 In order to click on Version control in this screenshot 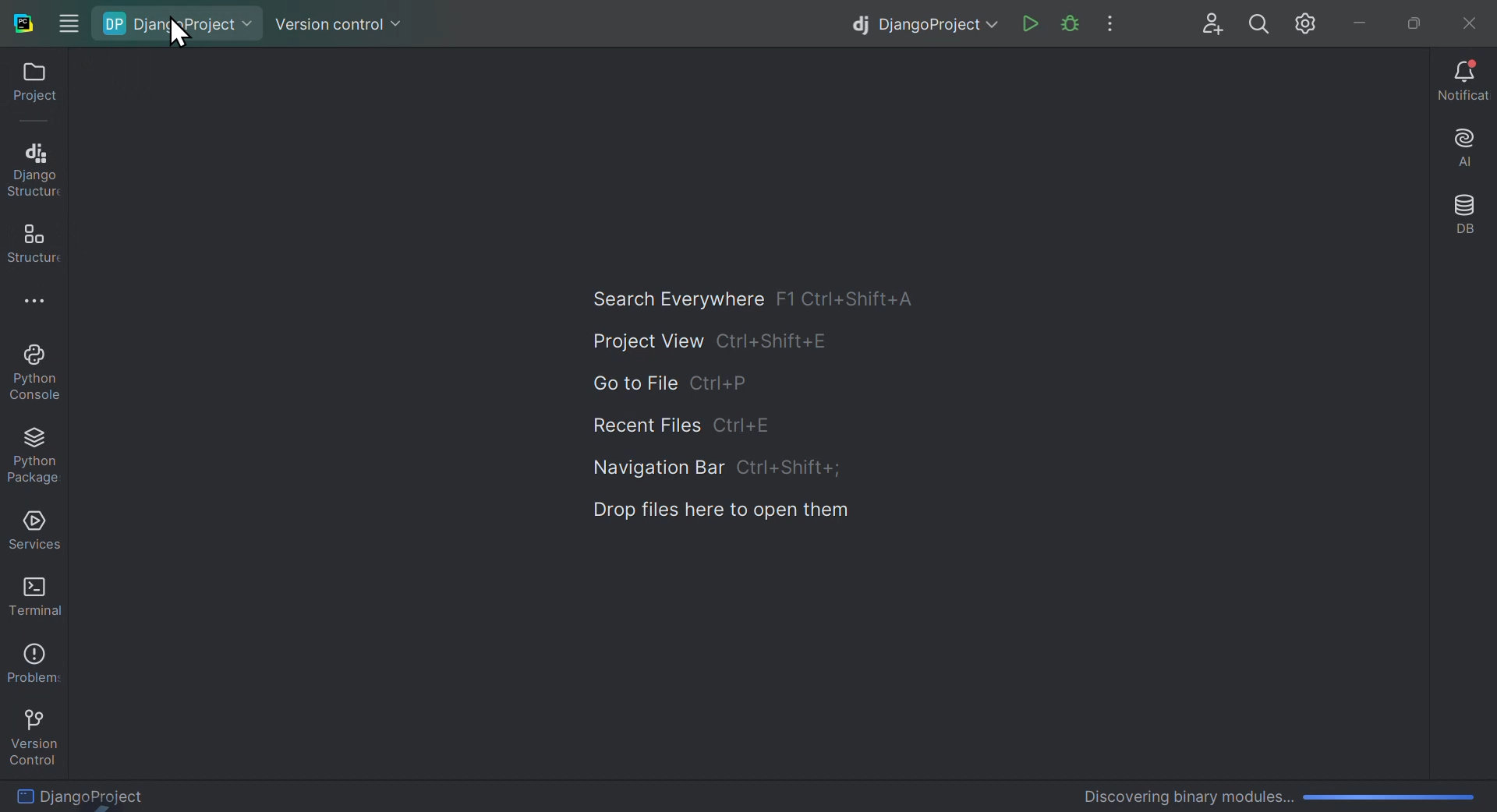, I will do `click(340, 19)`.